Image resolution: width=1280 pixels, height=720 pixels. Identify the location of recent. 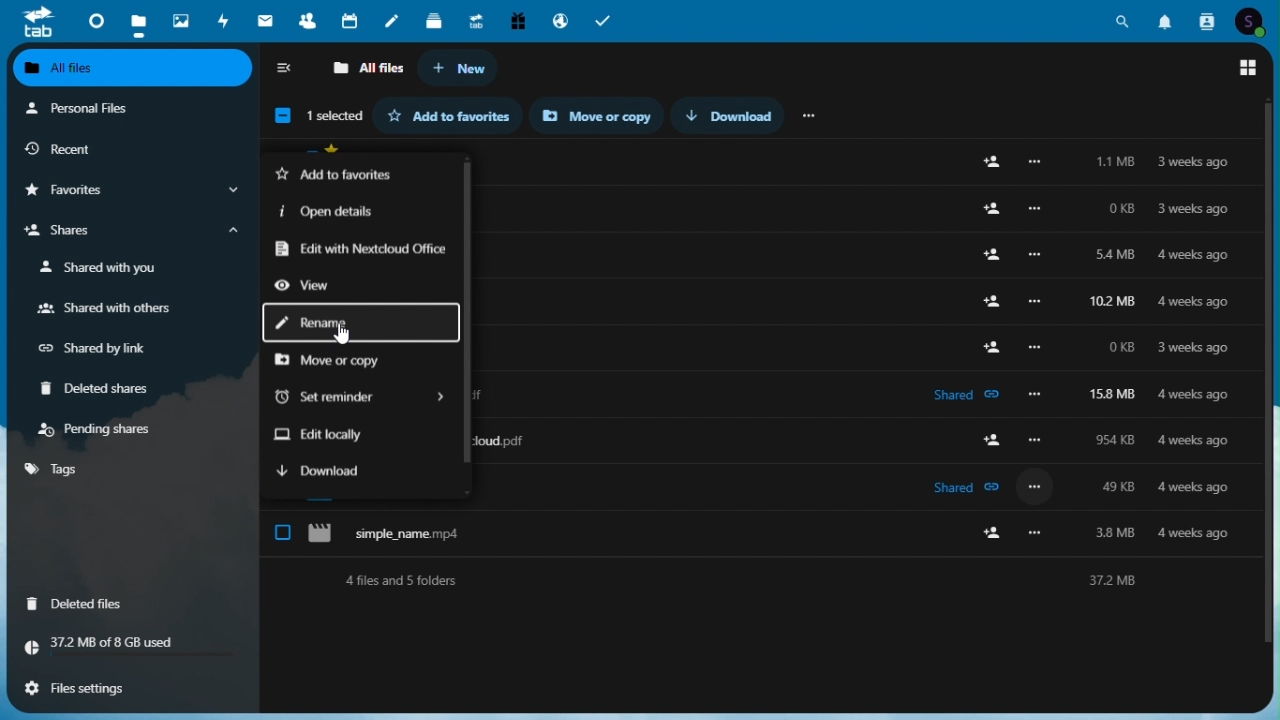
(129, 149).